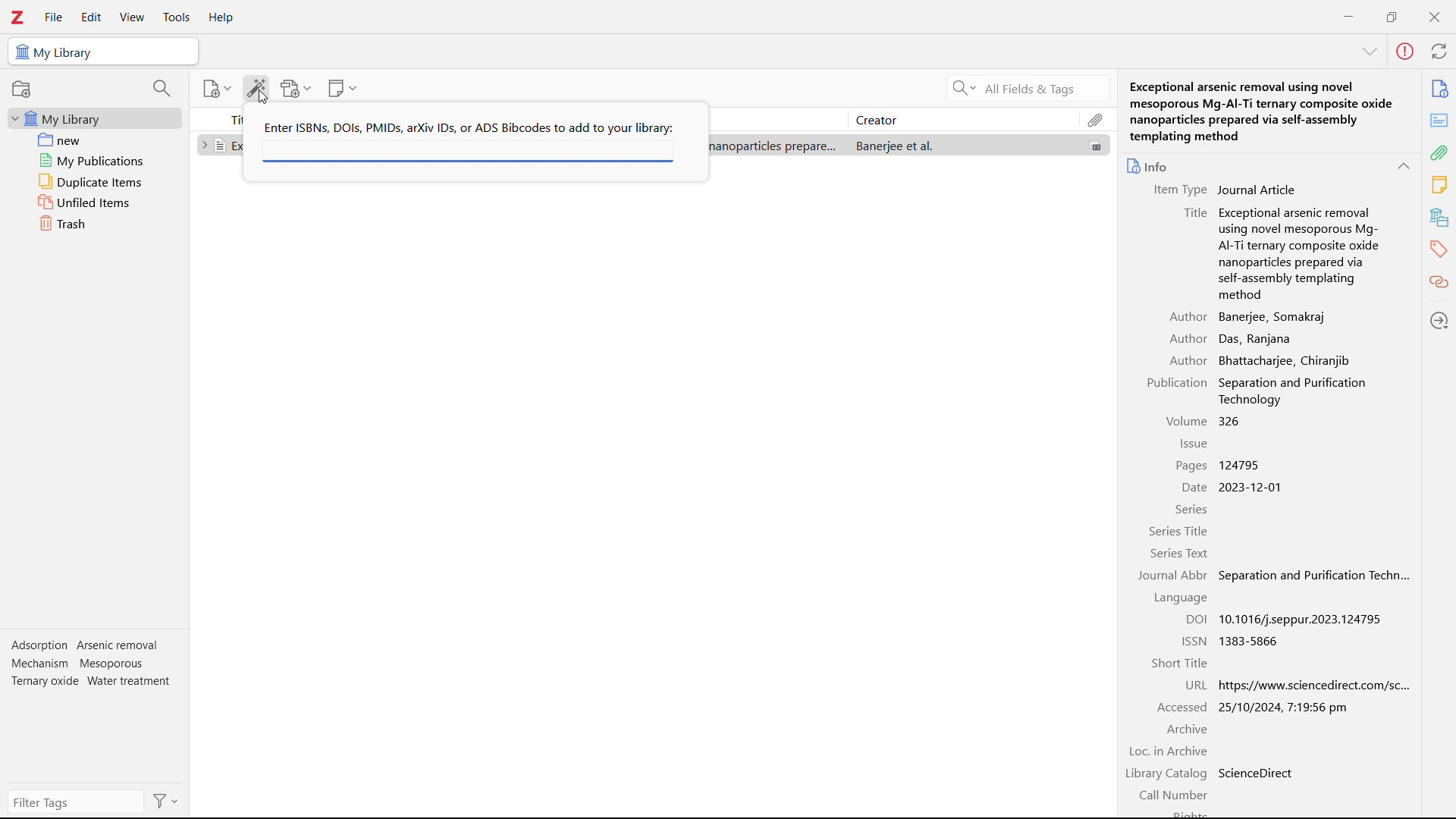 The height and width of the screenshot is (819, 1456). What do you see at coordinates (52, 17) in the screenshot?
I see `file` at bounding box center [52, 17].